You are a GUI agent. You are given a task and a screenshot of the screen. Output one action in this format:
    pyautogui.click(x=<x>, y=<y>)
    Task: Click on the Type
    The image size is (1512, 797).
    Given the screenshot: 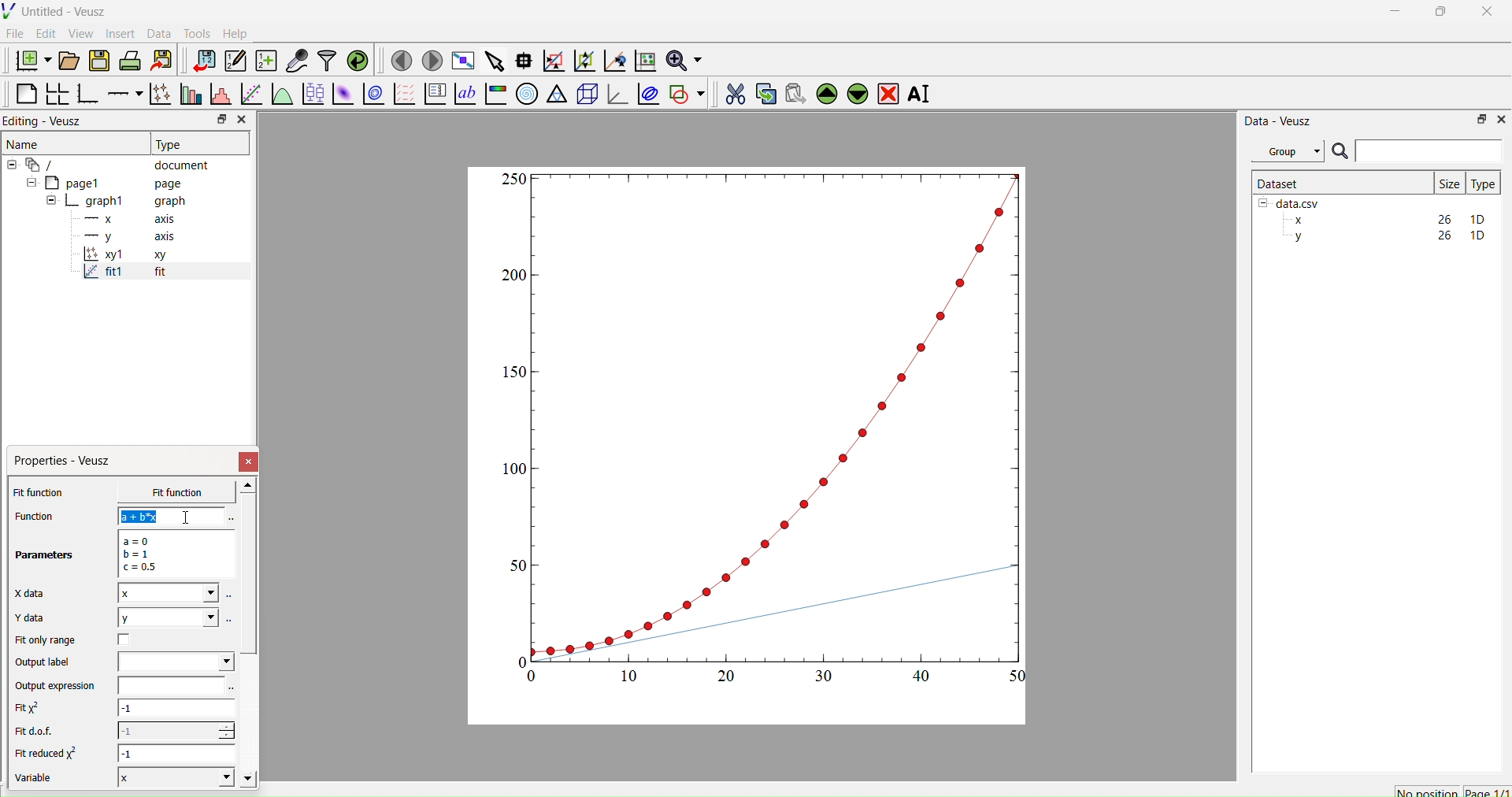 What is the action you would take?
    pyautogui.click(x=1483, y=183)
    